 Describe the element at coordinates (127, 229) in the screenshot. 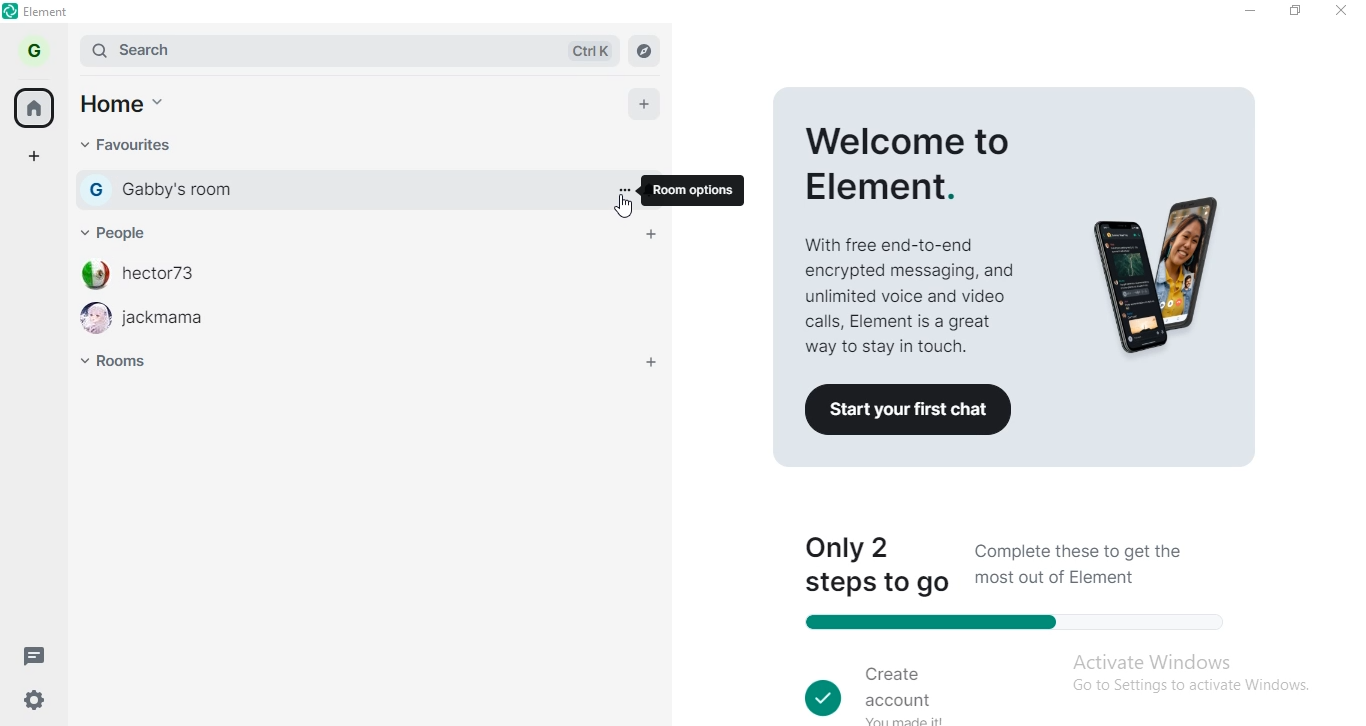

I see `people` at that location.